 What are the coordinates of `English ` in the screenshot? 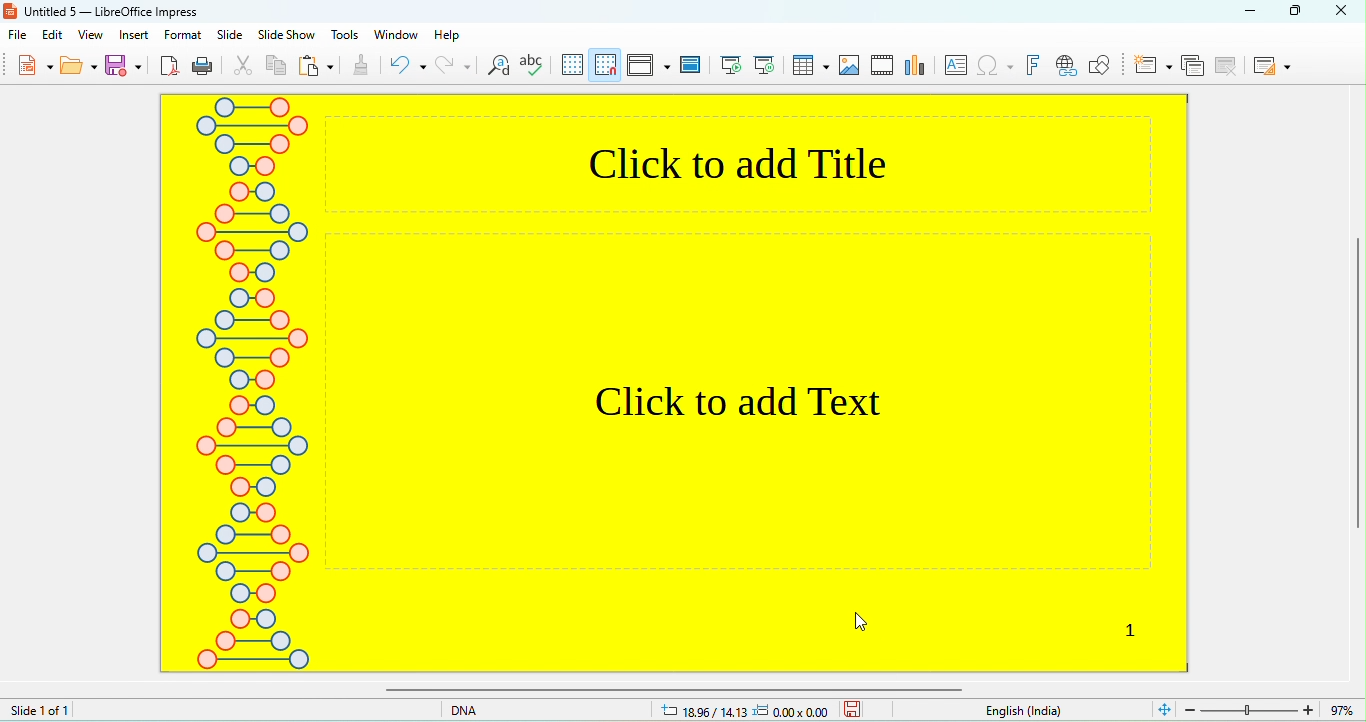 It's located at (1035, 711).